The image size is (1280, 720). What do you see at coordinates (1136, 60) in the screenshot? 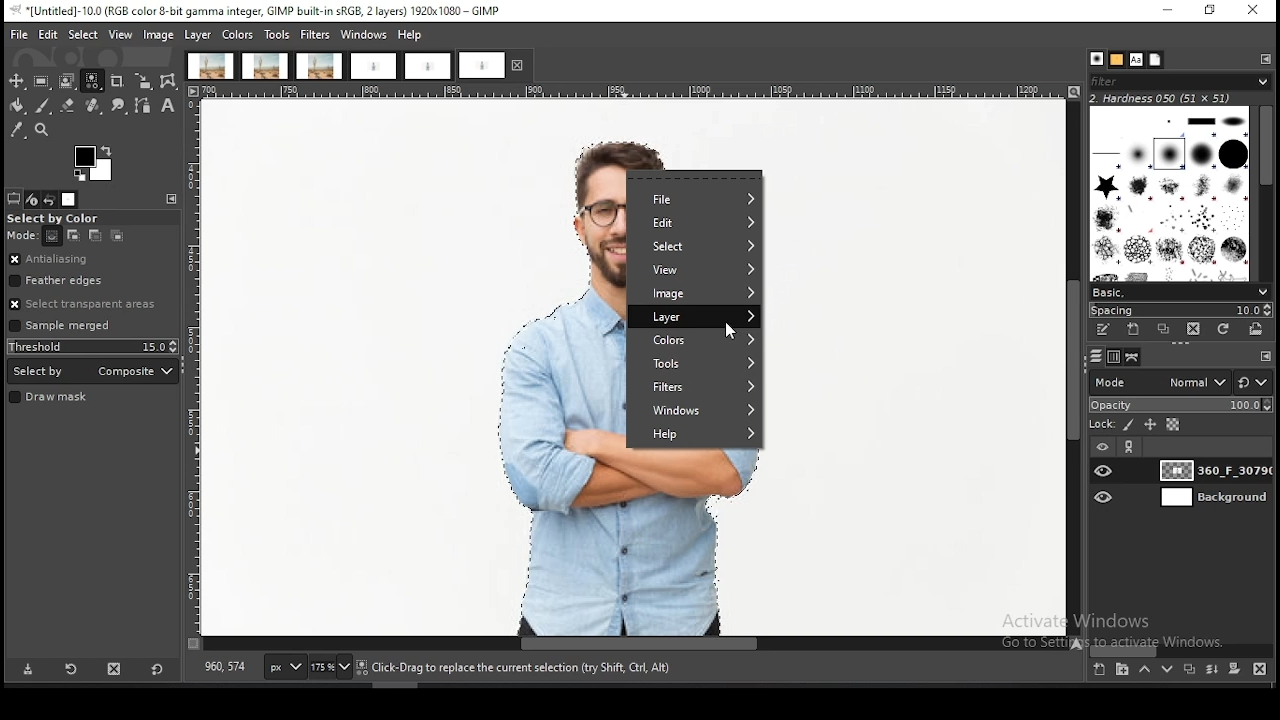
I see `fonts` at bounding box center [1136, 60].